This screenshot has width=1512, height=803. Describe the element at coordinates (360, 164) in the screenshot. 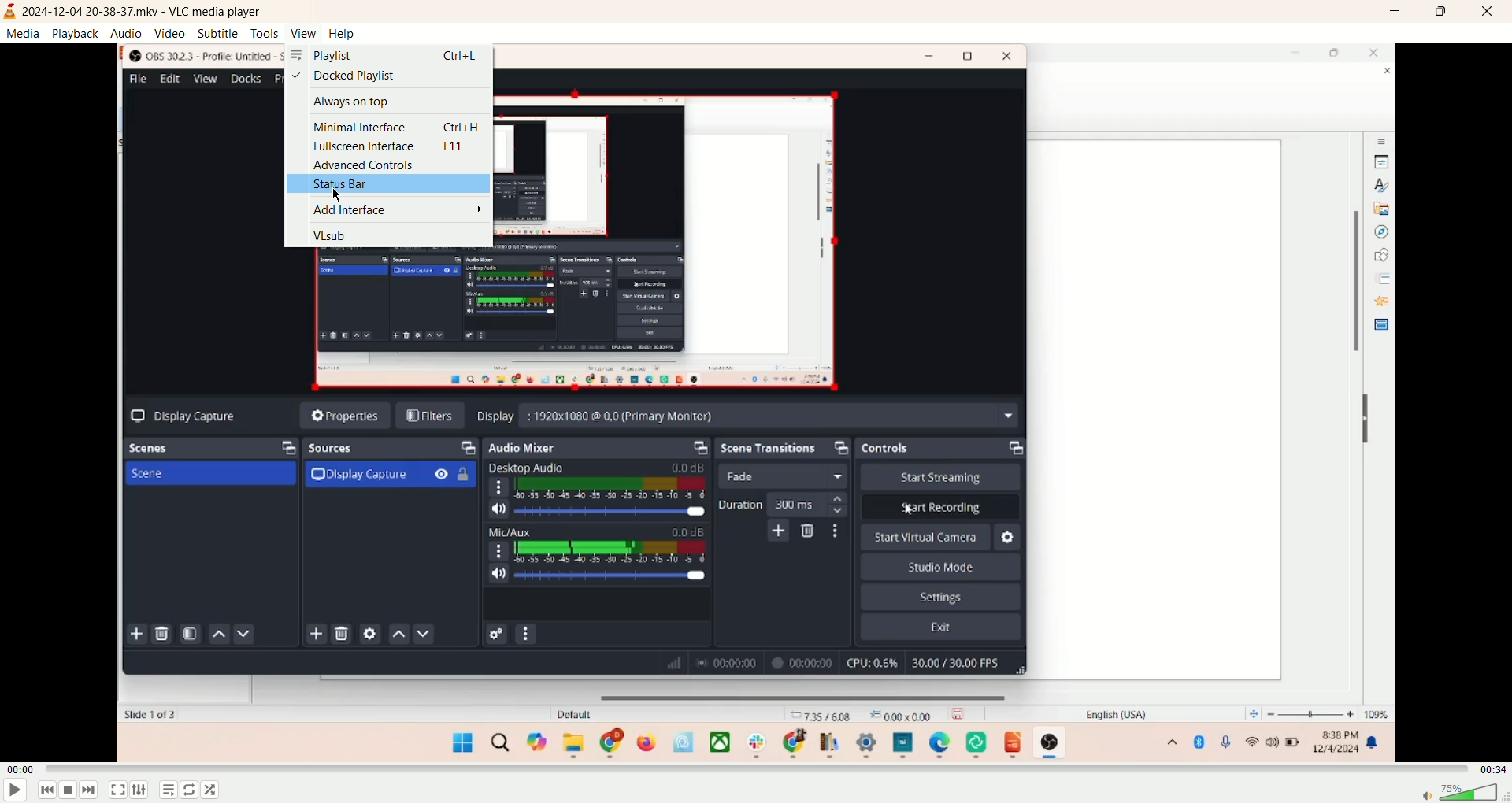

I see `advanced control` at that location.